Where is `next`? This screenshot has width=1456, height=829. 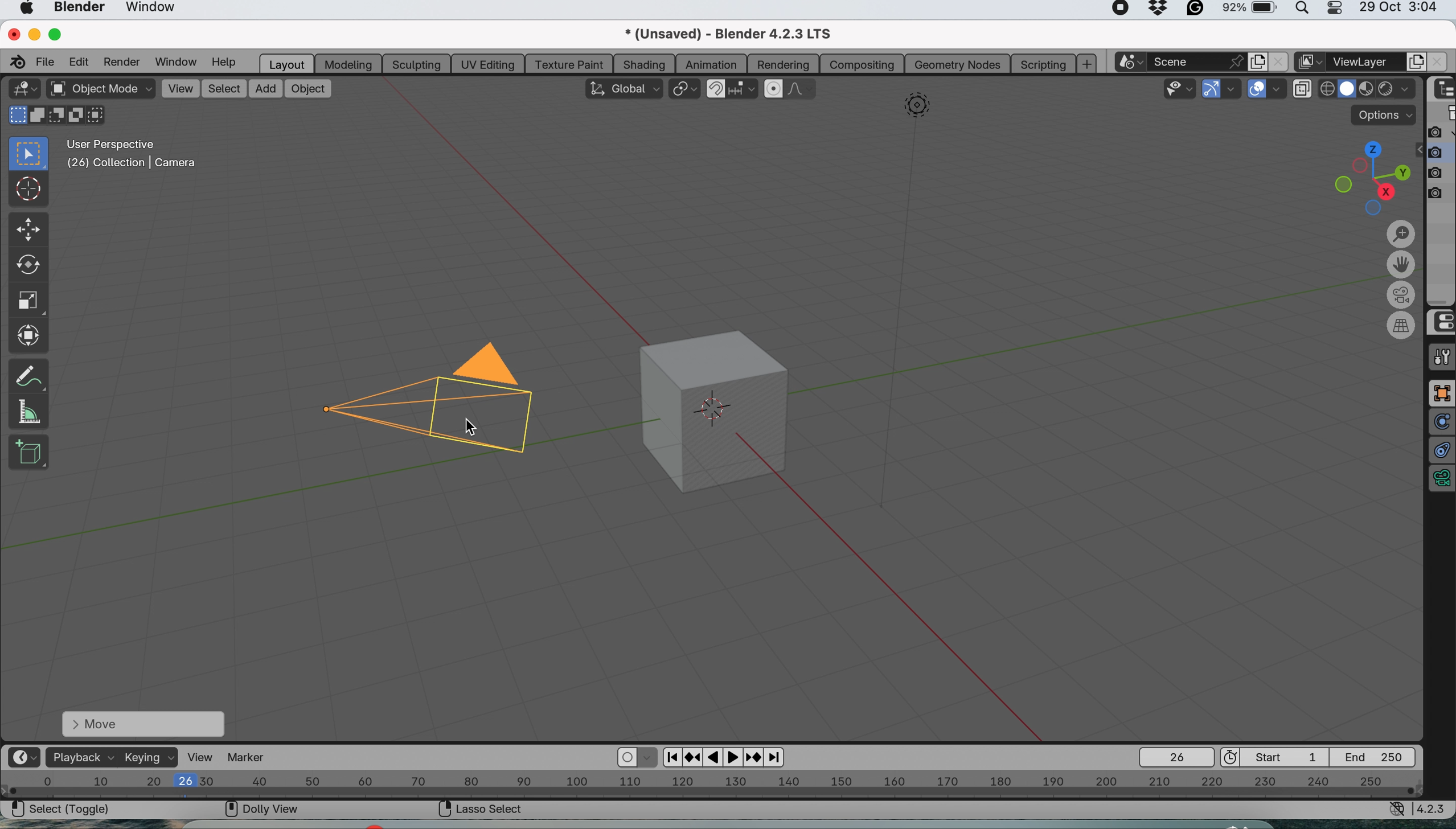
next is located at coordinates (776, 758).